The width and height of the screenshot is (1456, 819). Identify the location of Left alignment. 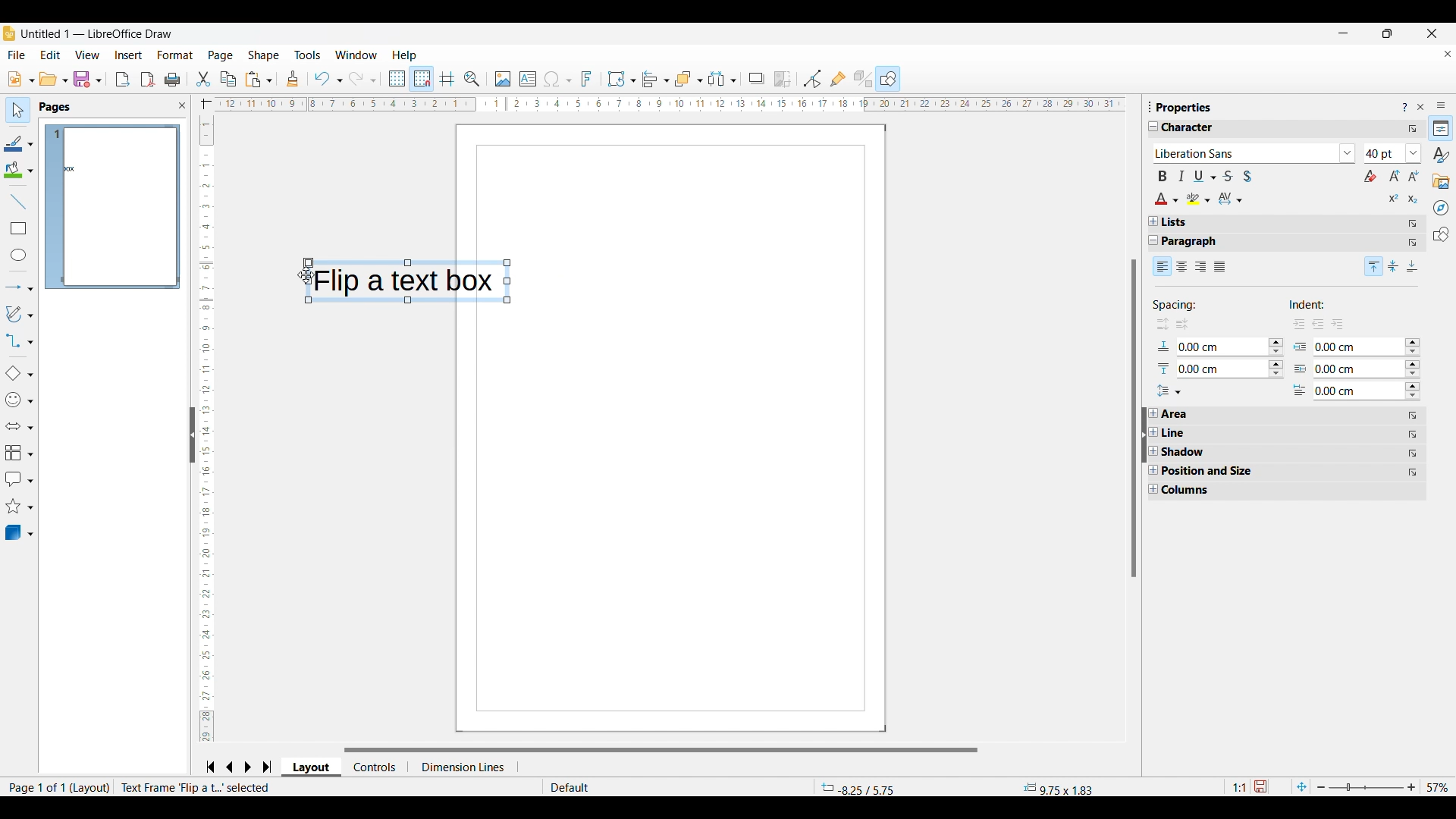
(1163, 265).